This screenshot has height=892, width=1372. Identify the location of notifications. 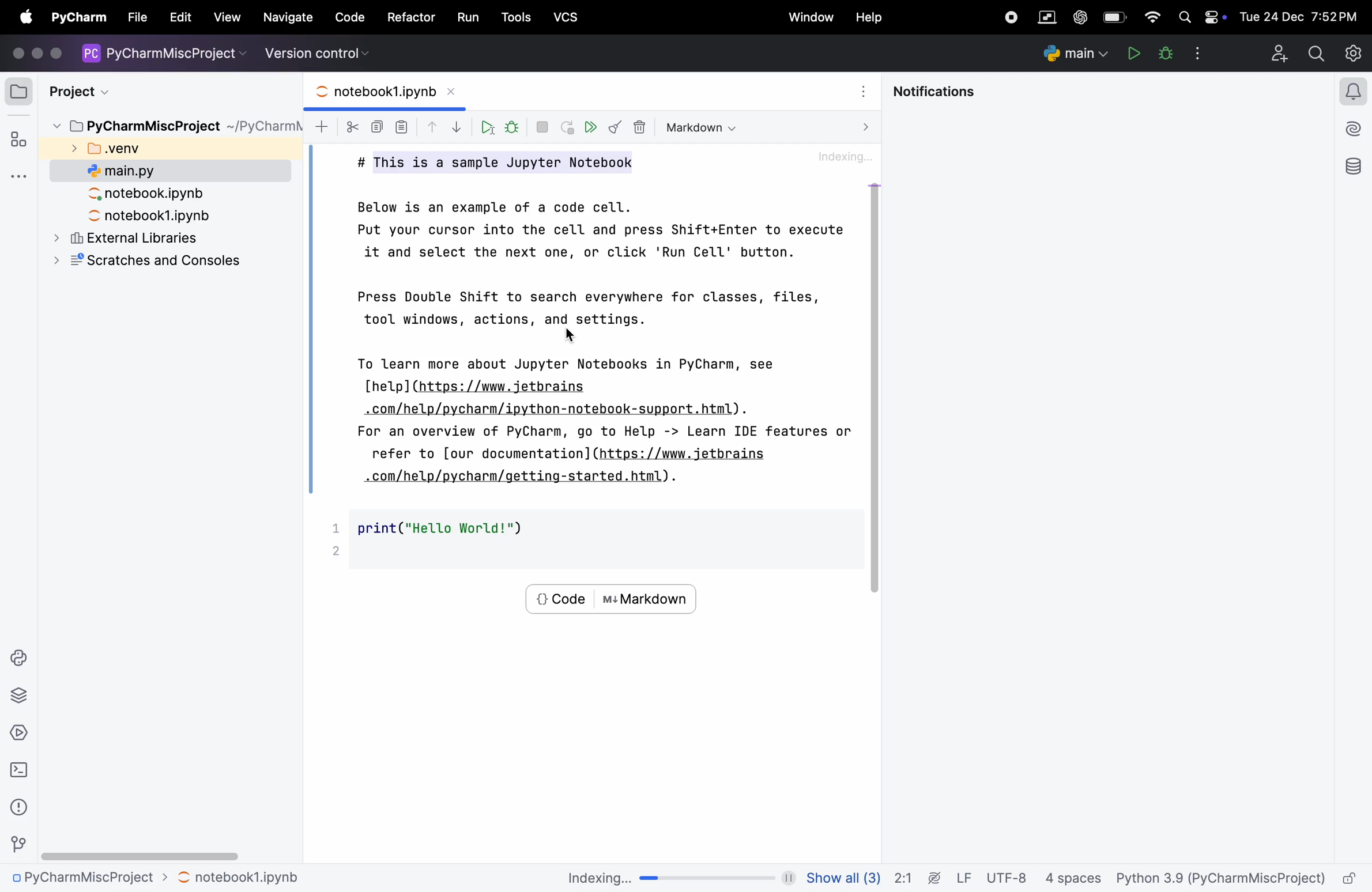
(940, 90).